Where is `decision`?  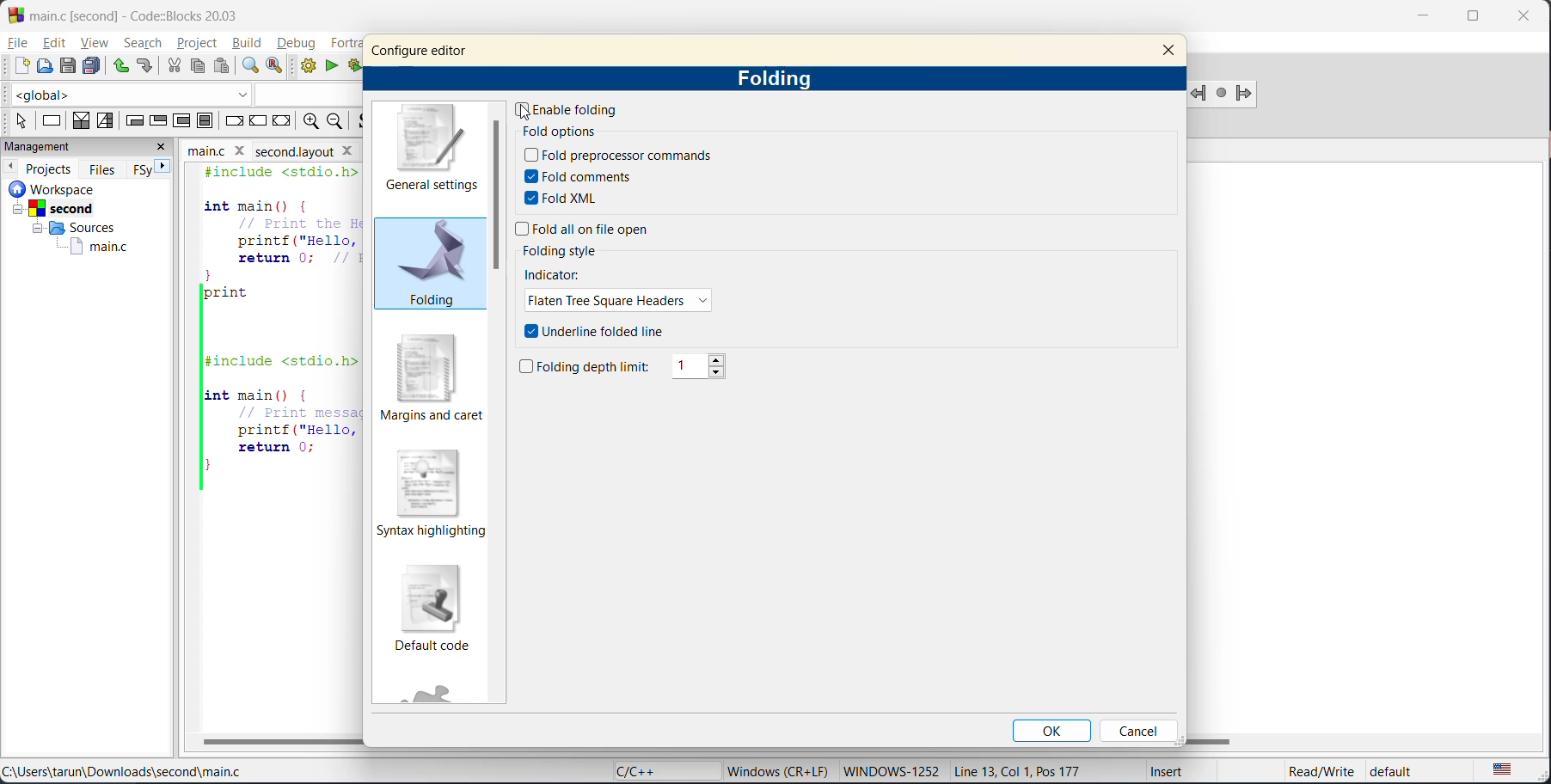 decision is located at coordinates (81, 121).